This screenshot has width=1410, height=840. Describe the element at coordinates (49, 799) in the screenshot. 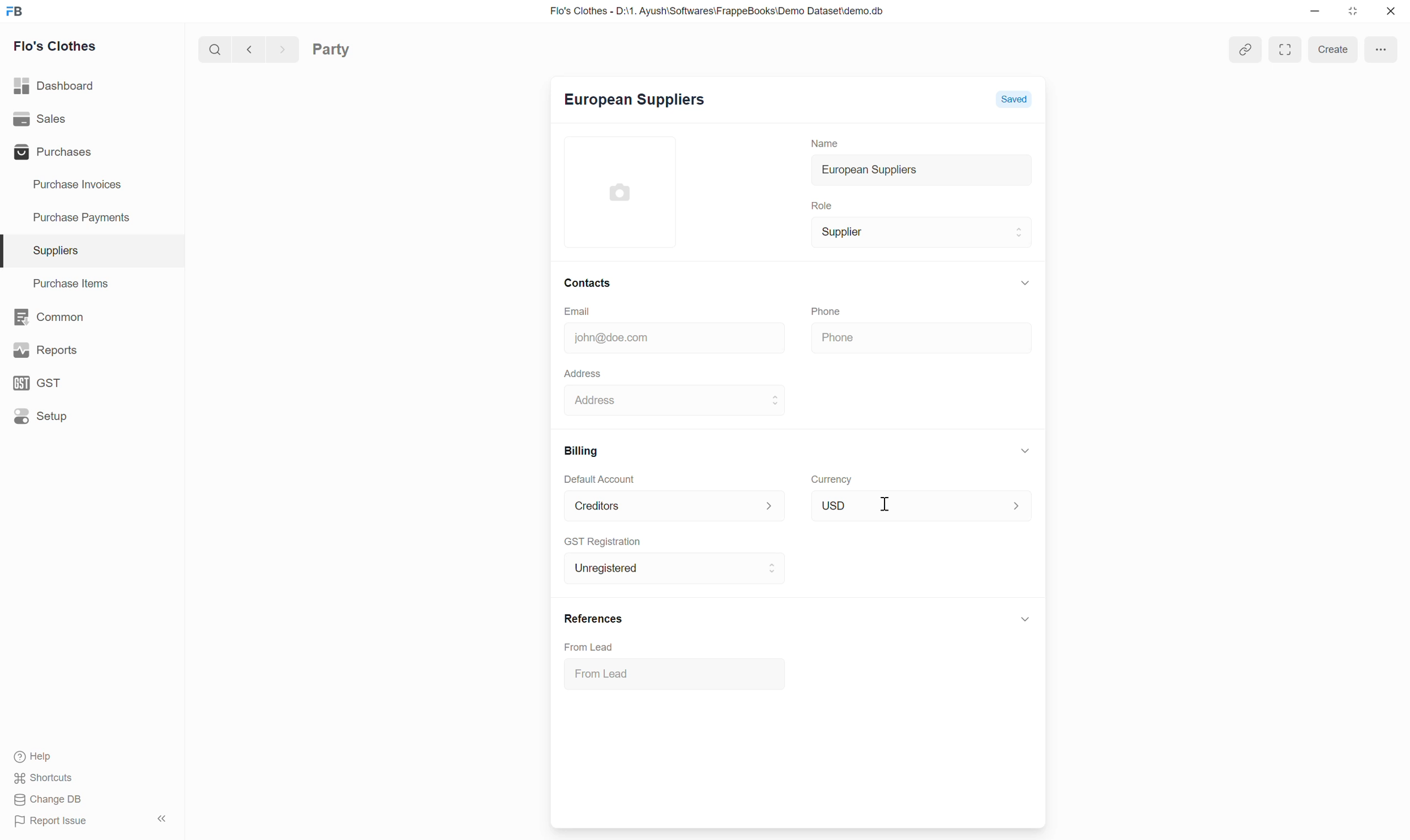

I see `Change DB` at that location.